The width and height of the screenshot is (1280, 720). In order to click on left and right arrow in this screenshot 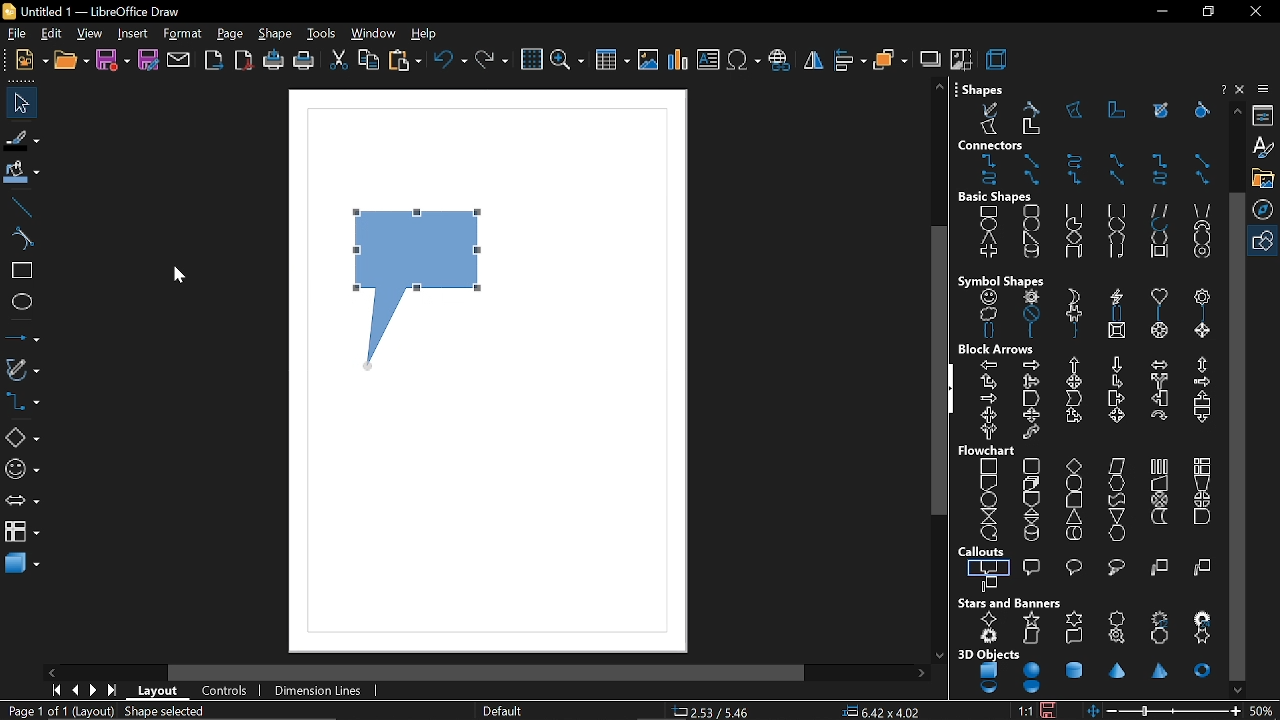, I will do `click(1157, 364)`.